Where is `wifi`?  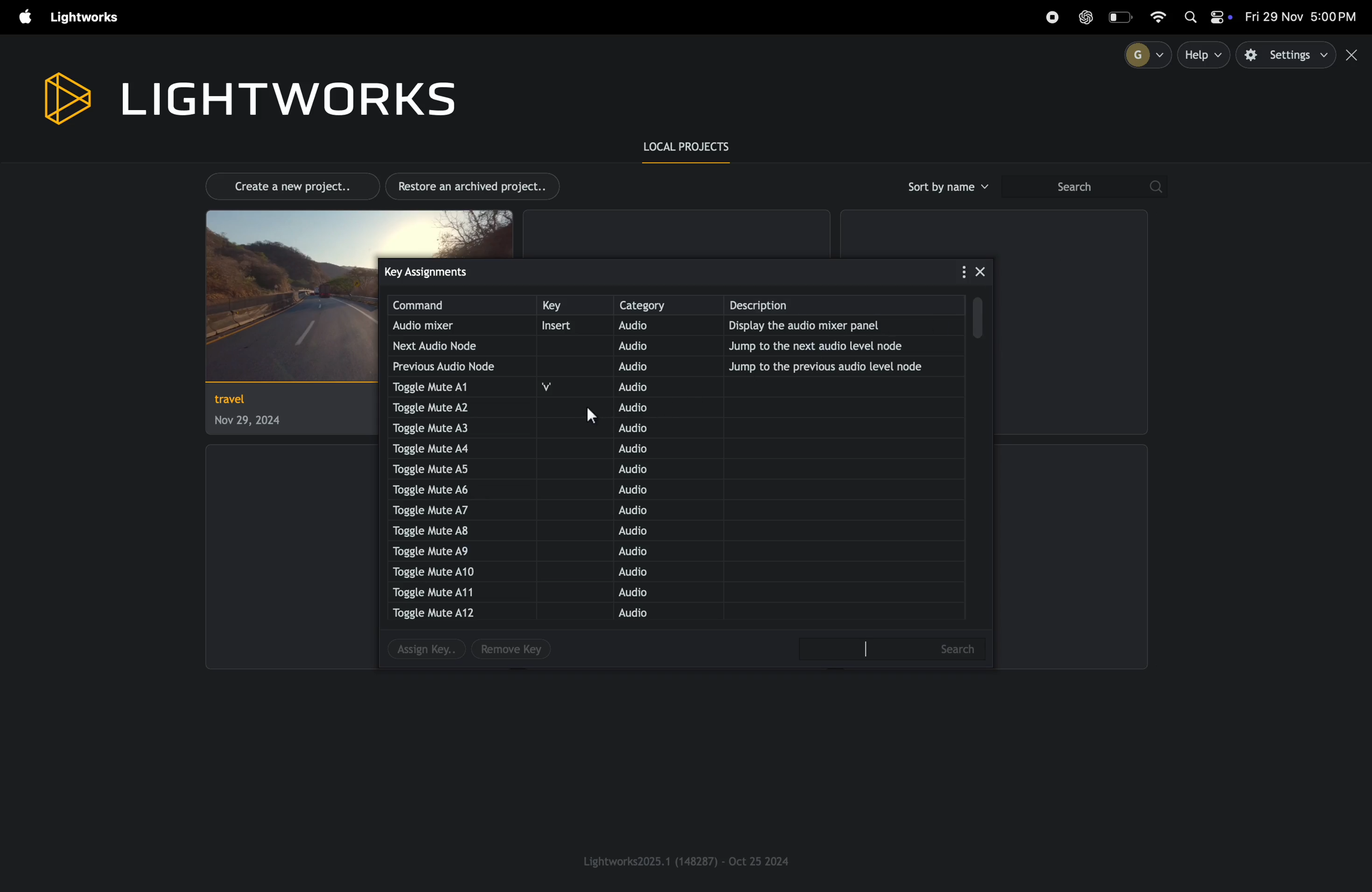 wifi is located at coordinates (1164, 16).